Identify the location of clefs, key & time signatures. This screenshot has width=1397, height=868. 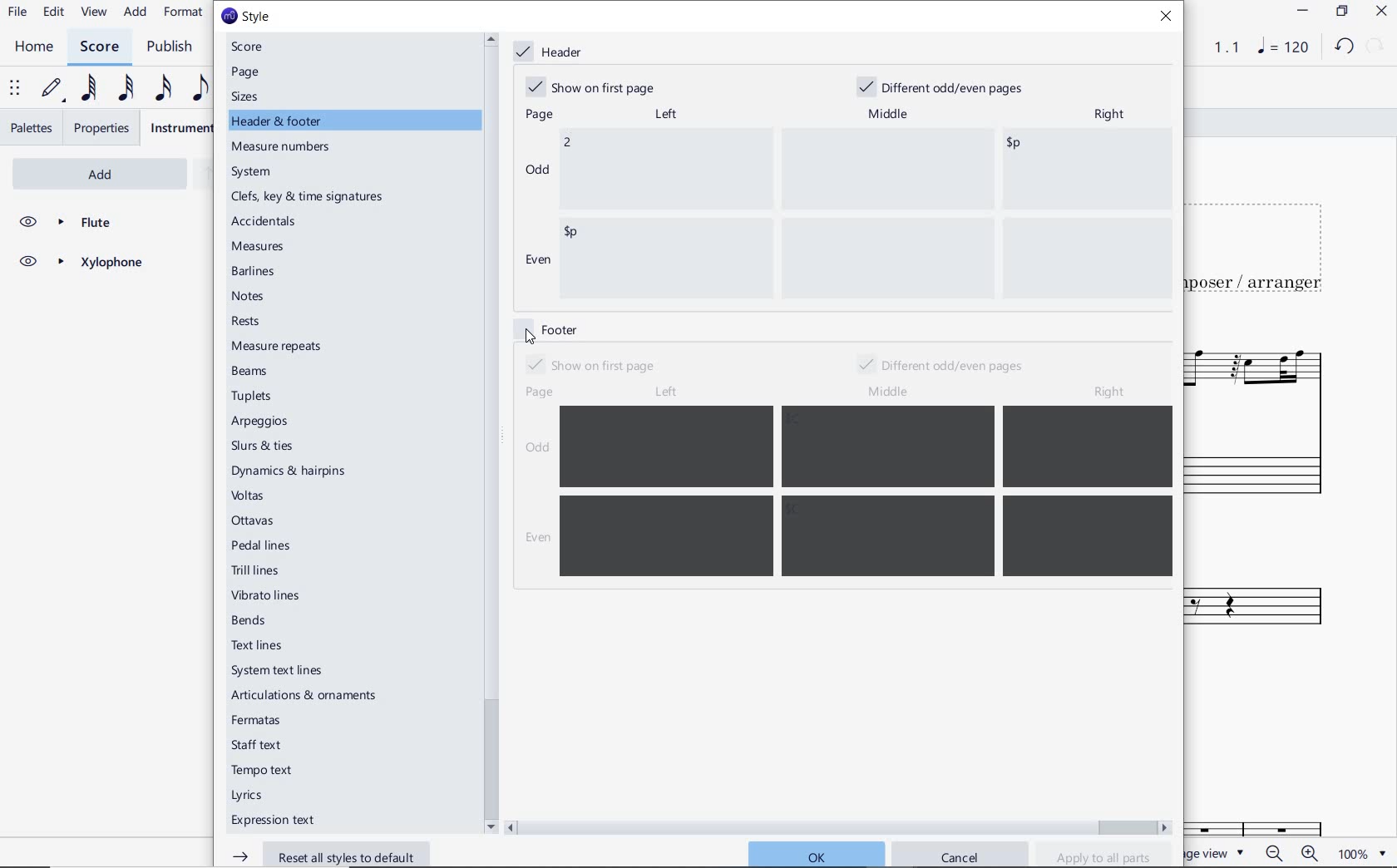
(311, 197).